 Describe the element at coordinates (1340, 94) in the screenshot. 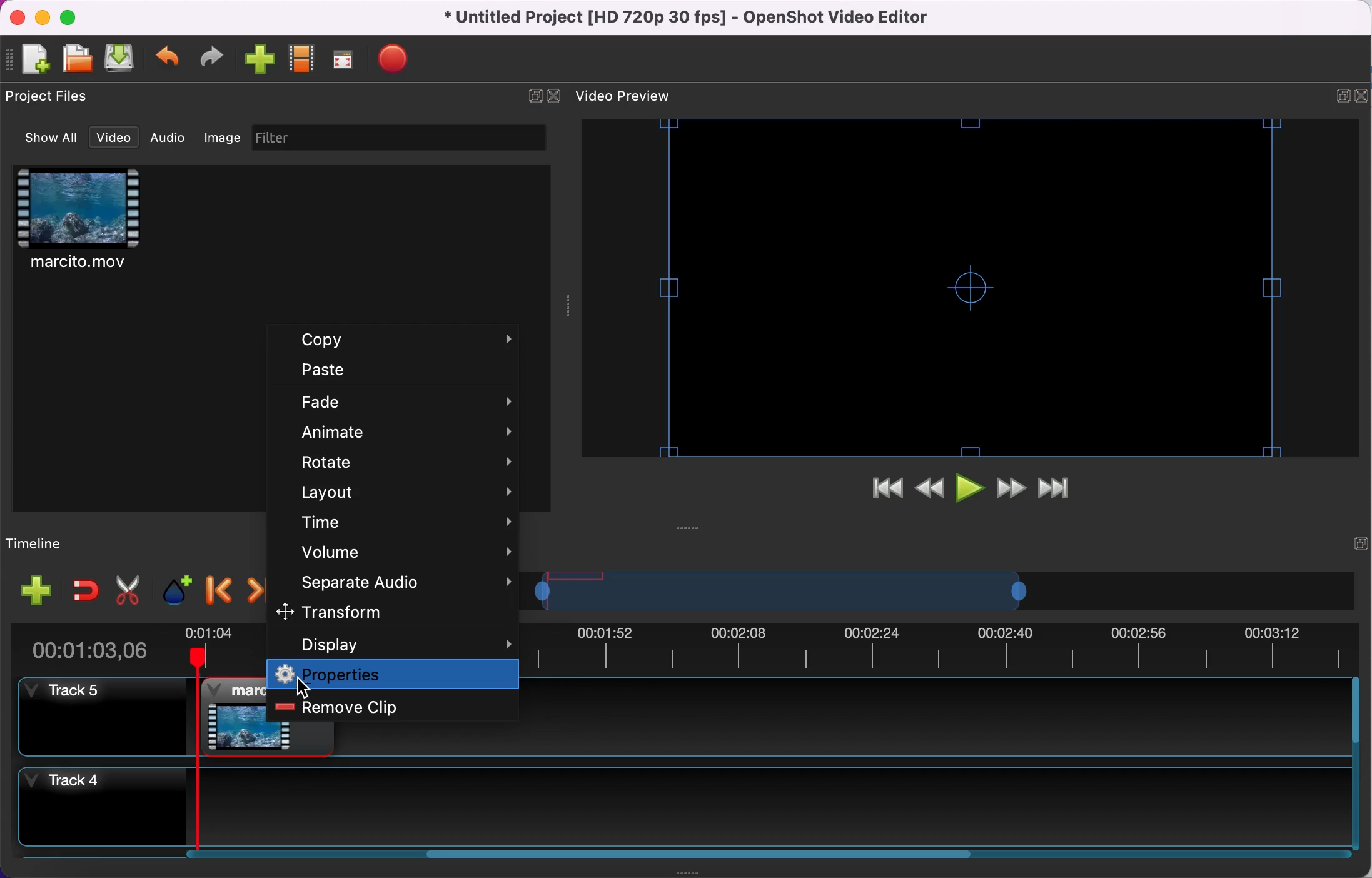

I see `expand/hide` at that location.